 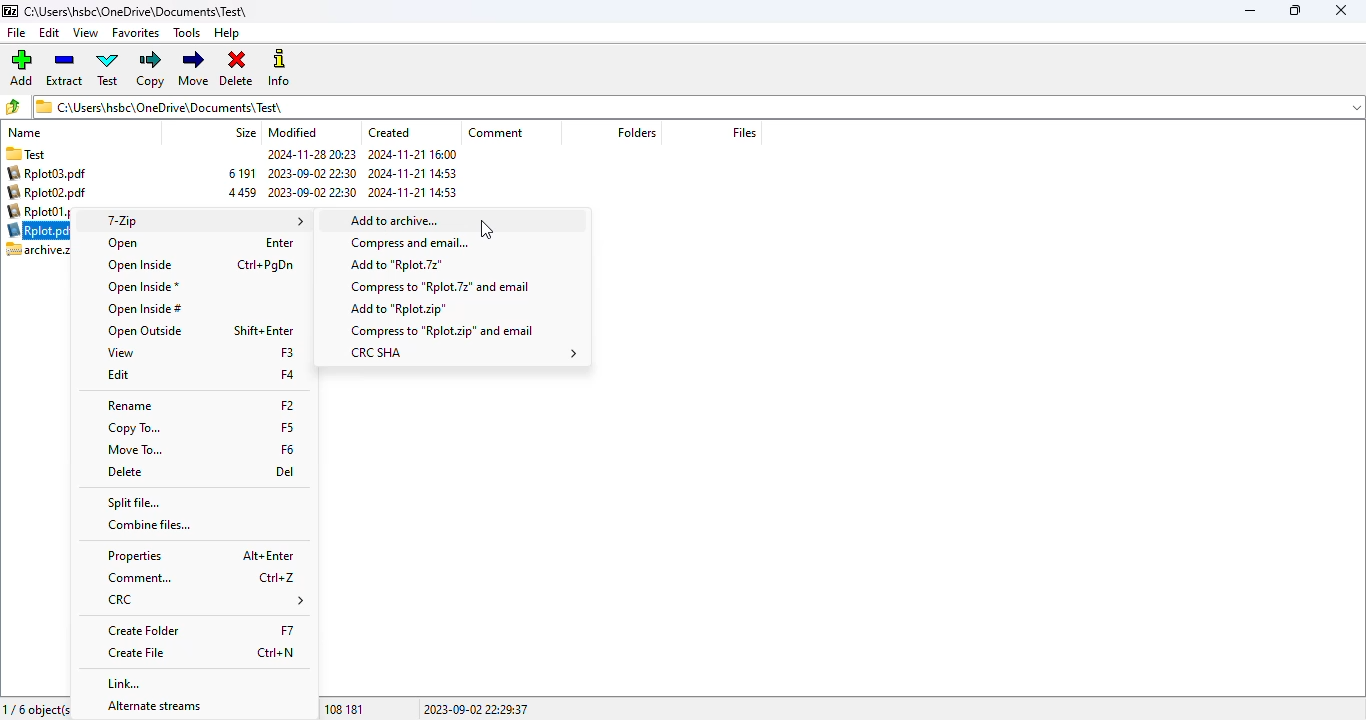 I want to click on browse folders, so click(x=13, y=106).